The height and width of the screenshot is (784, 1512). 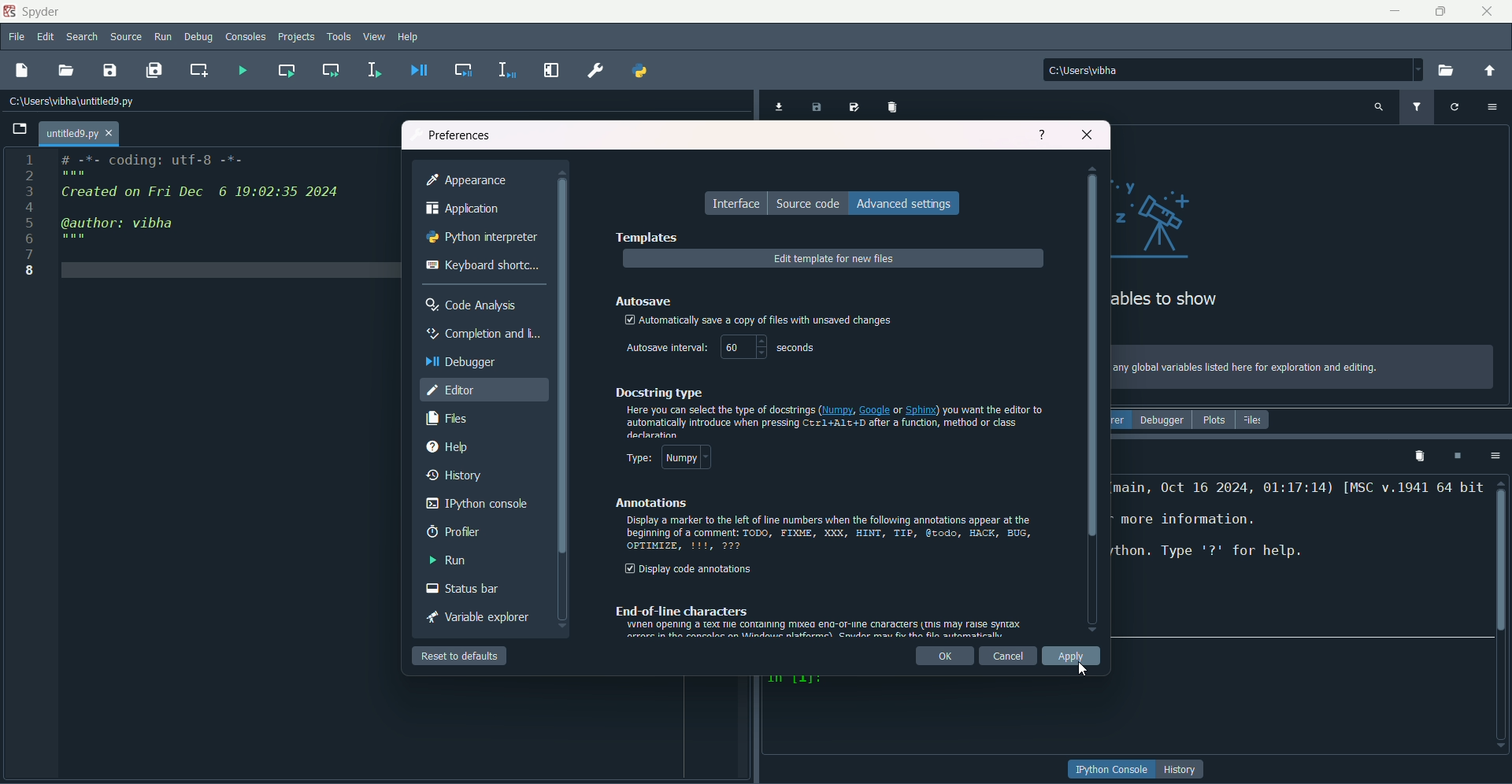 What do you see at coordinates (480, 334) in the screenshot?
I see `completion` at bounding box center [480, 334].